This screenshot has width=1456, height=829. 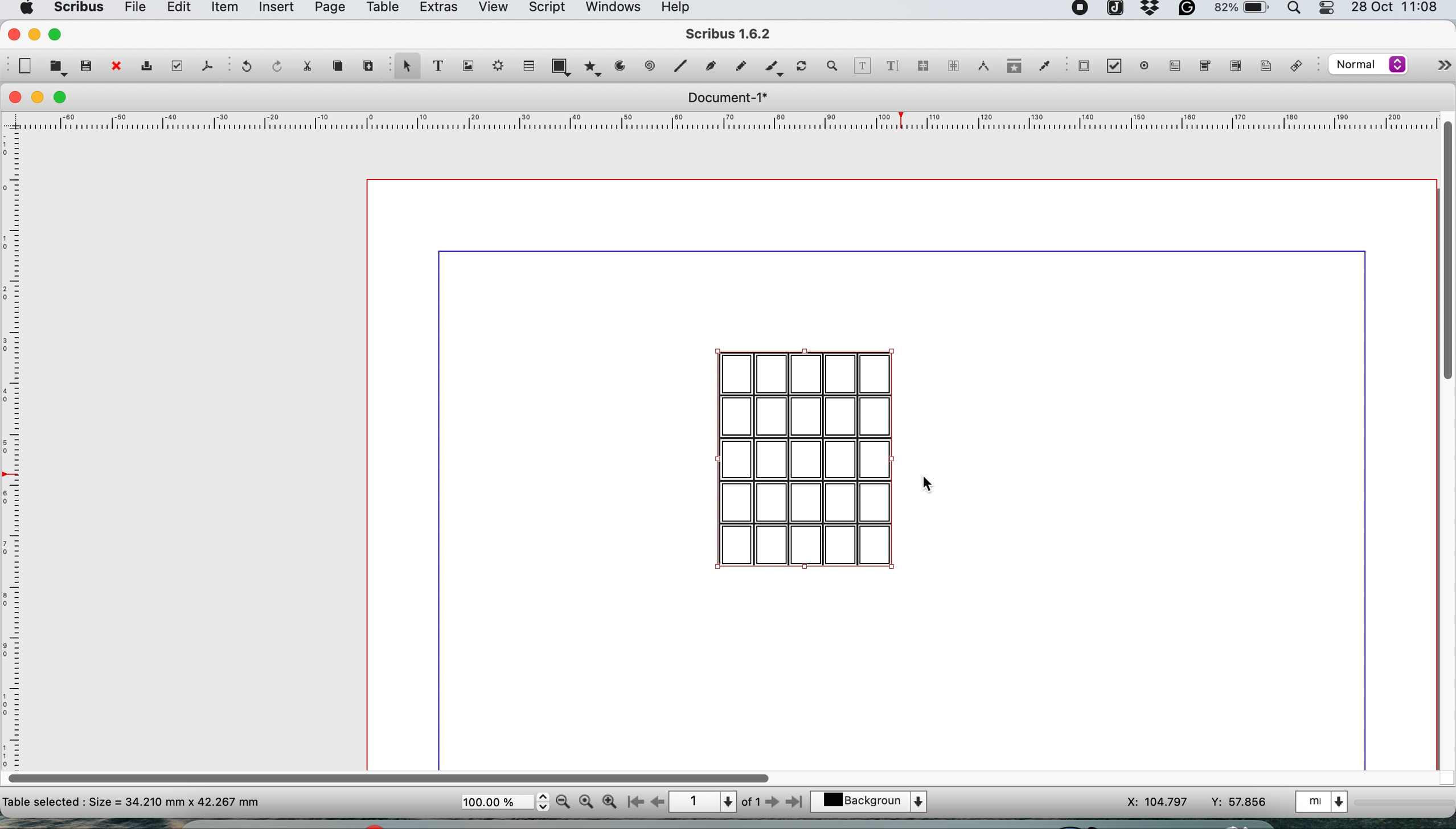 I want to click on close, so click(x=12, y=33).